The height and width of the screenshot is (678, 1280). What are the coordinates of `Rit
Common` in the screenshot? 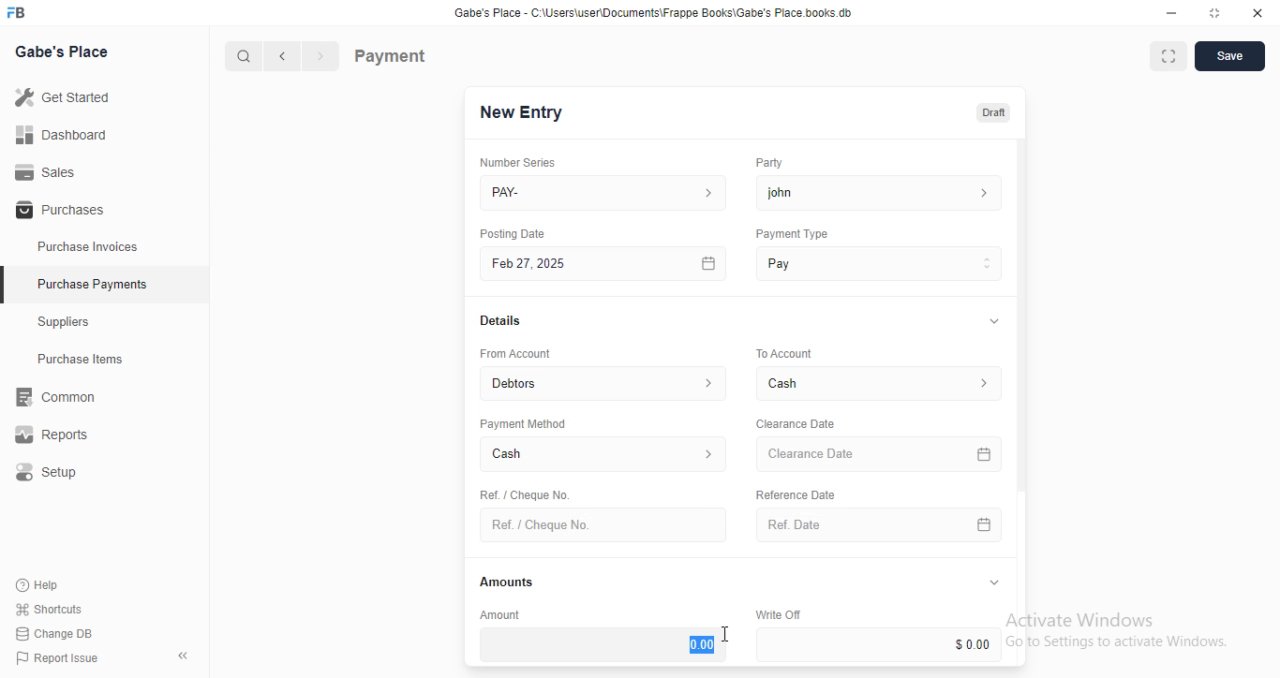 It's located at (55, 398).